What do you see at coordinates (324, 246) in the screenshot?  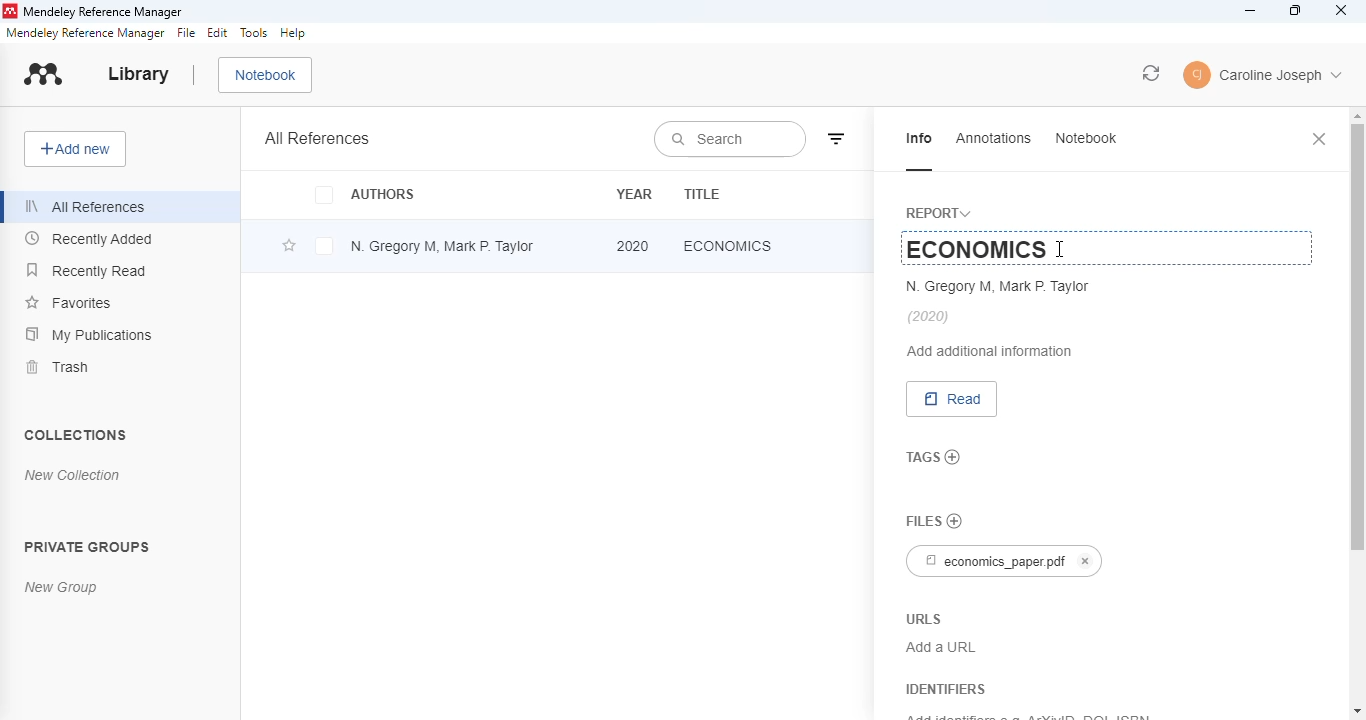 I see `select` at bounding box center [324, 246].